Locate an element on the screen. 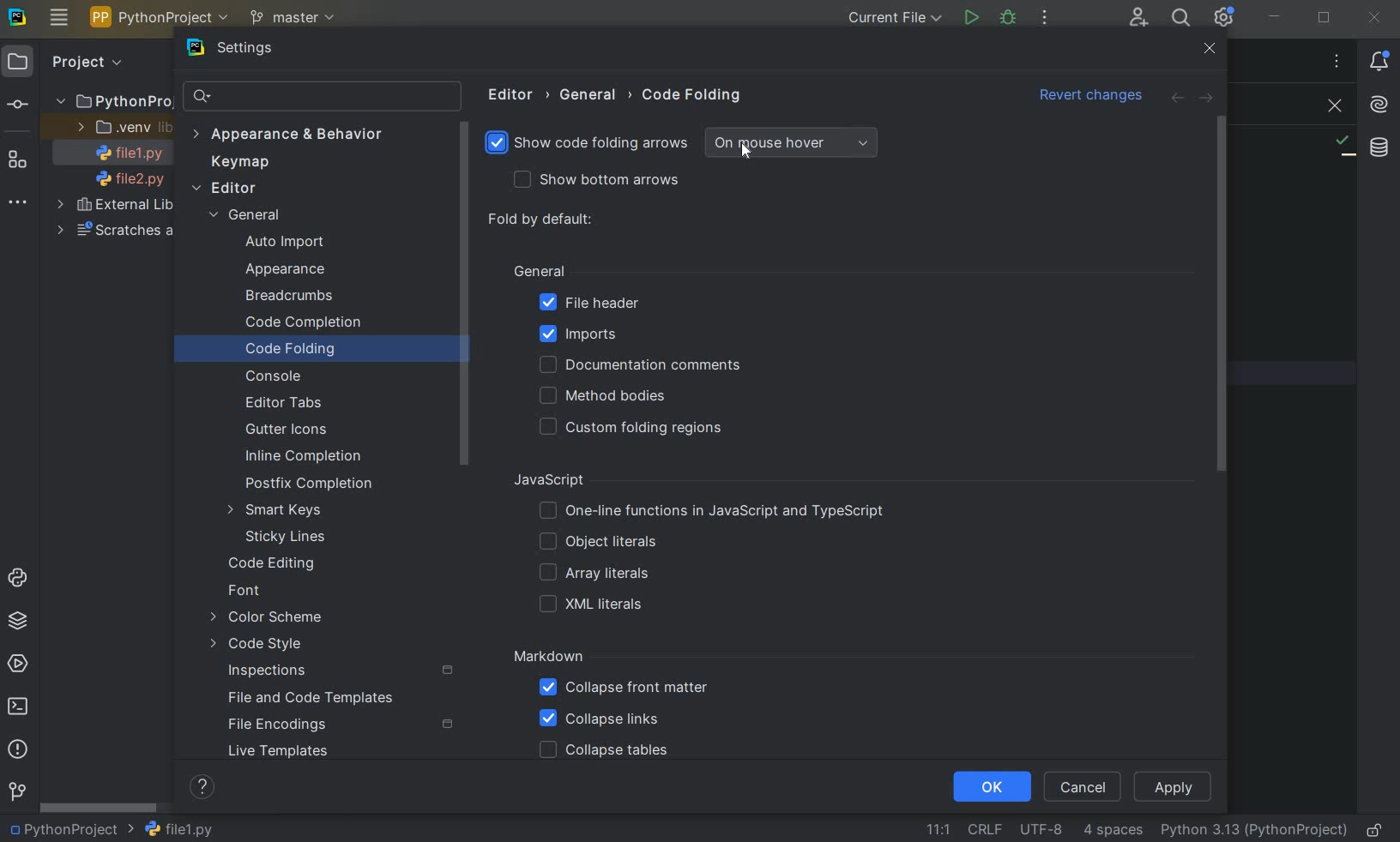  PYTHON CONSOLE is located at coordinates (20, 574).